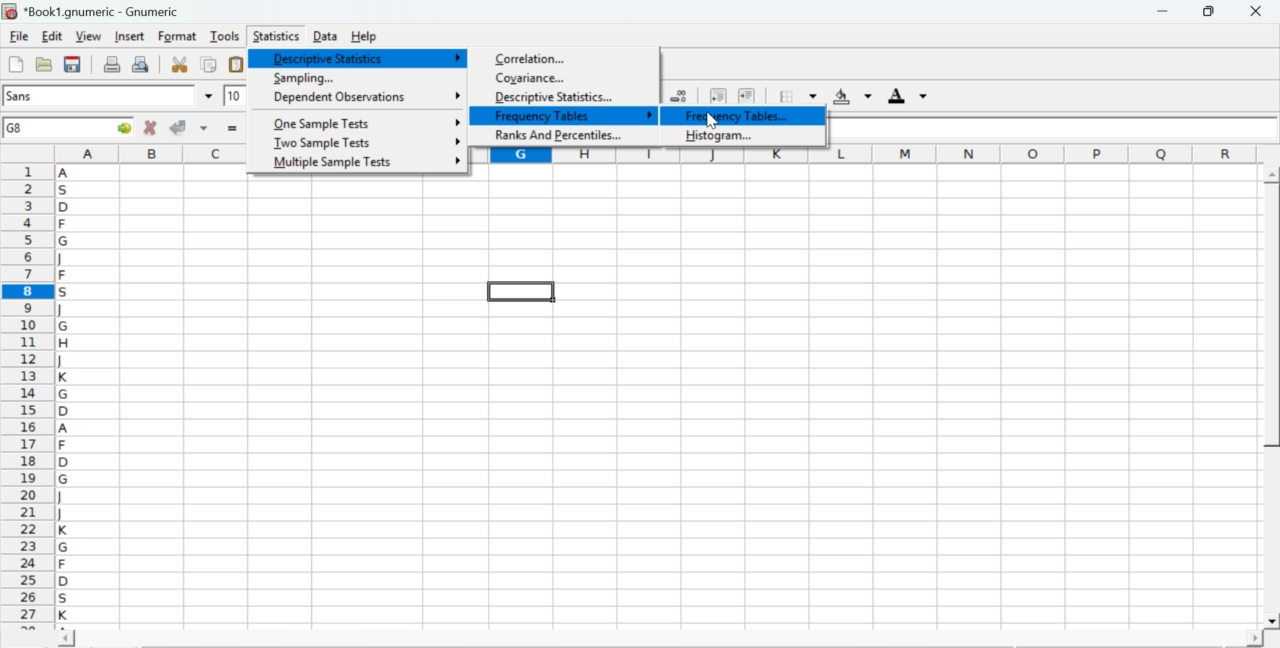 The height and width of the screenshot is (648, 1280). What do you see at coordinates (303, 78) in the screenshot?
I see `sampling...` at bounding box center [303, 78].